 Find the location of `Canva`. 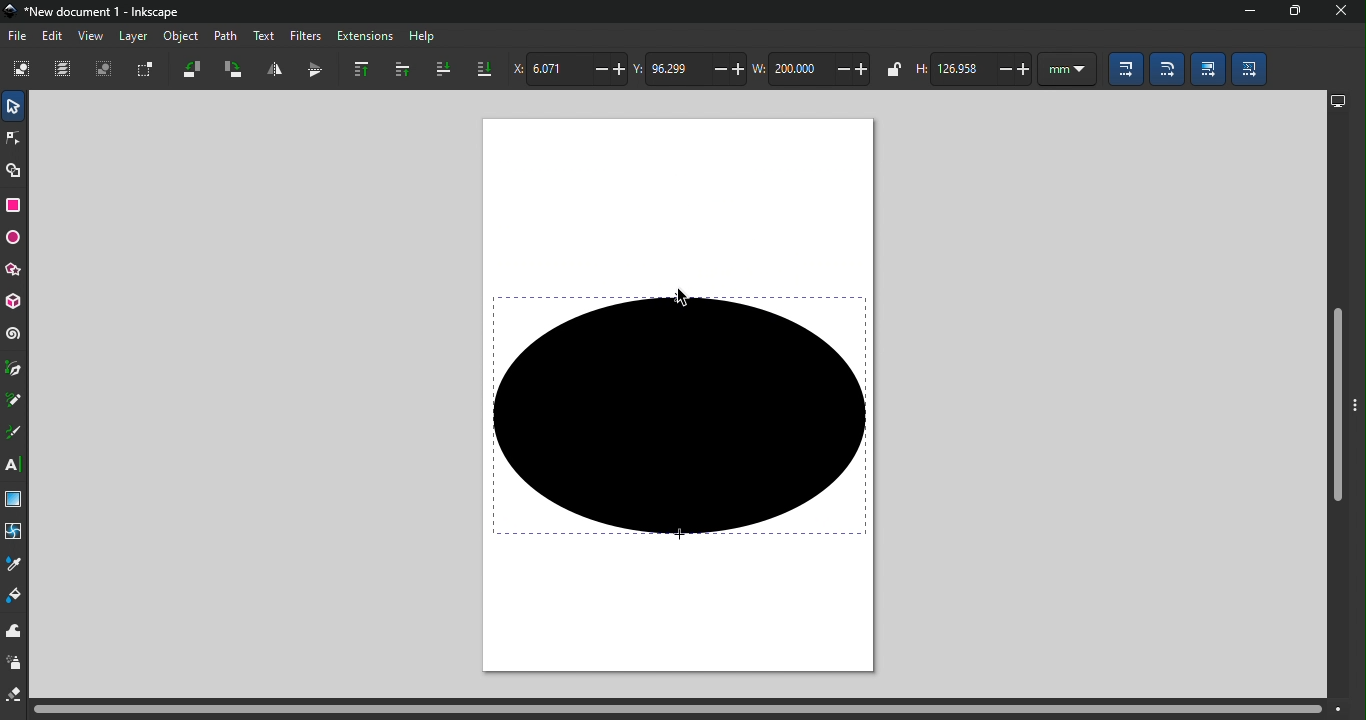

Canva is located at coordinates (686, 397).